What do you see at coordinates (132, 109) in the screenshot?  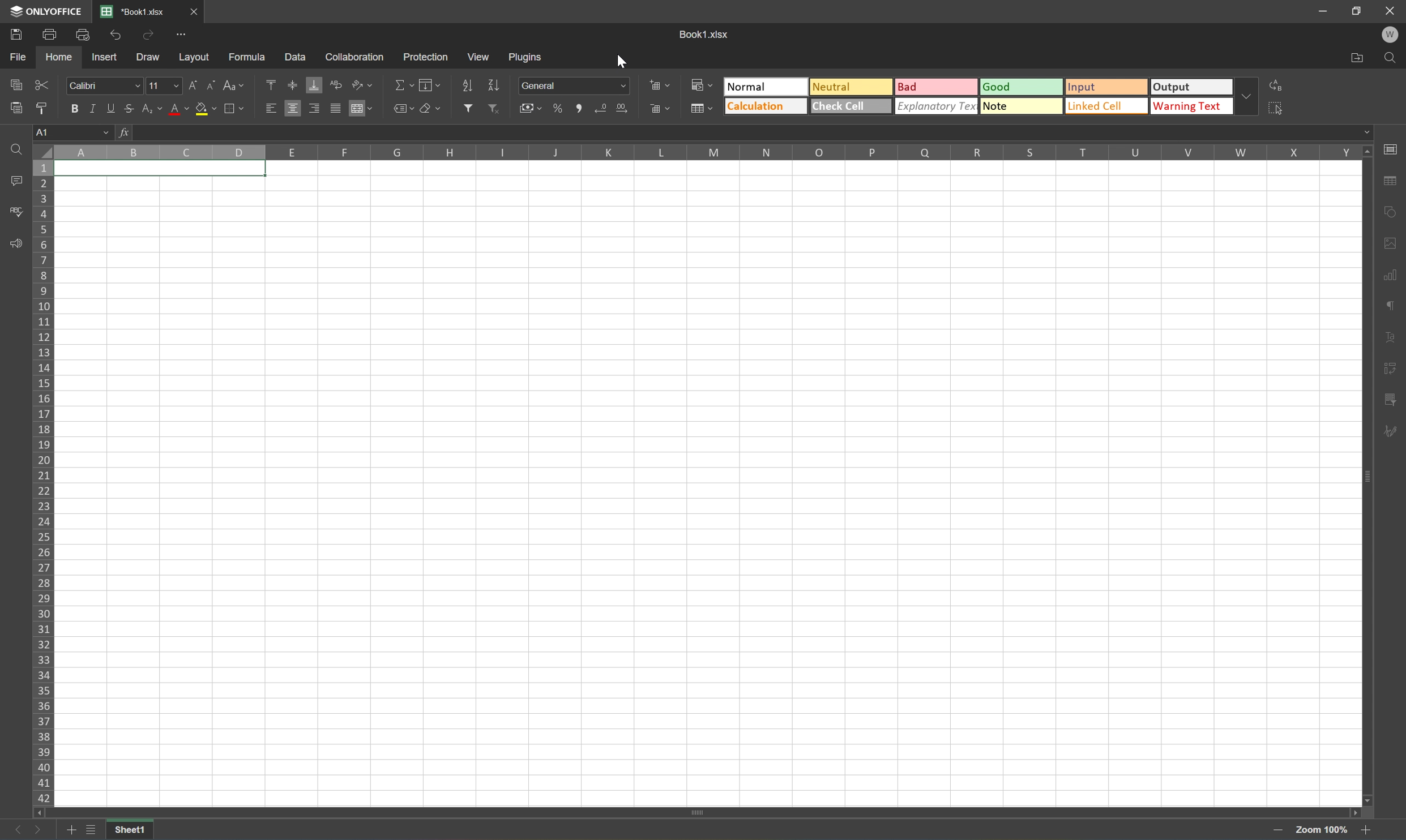 I see `Strikethrough` at bounding box center [132, 109].